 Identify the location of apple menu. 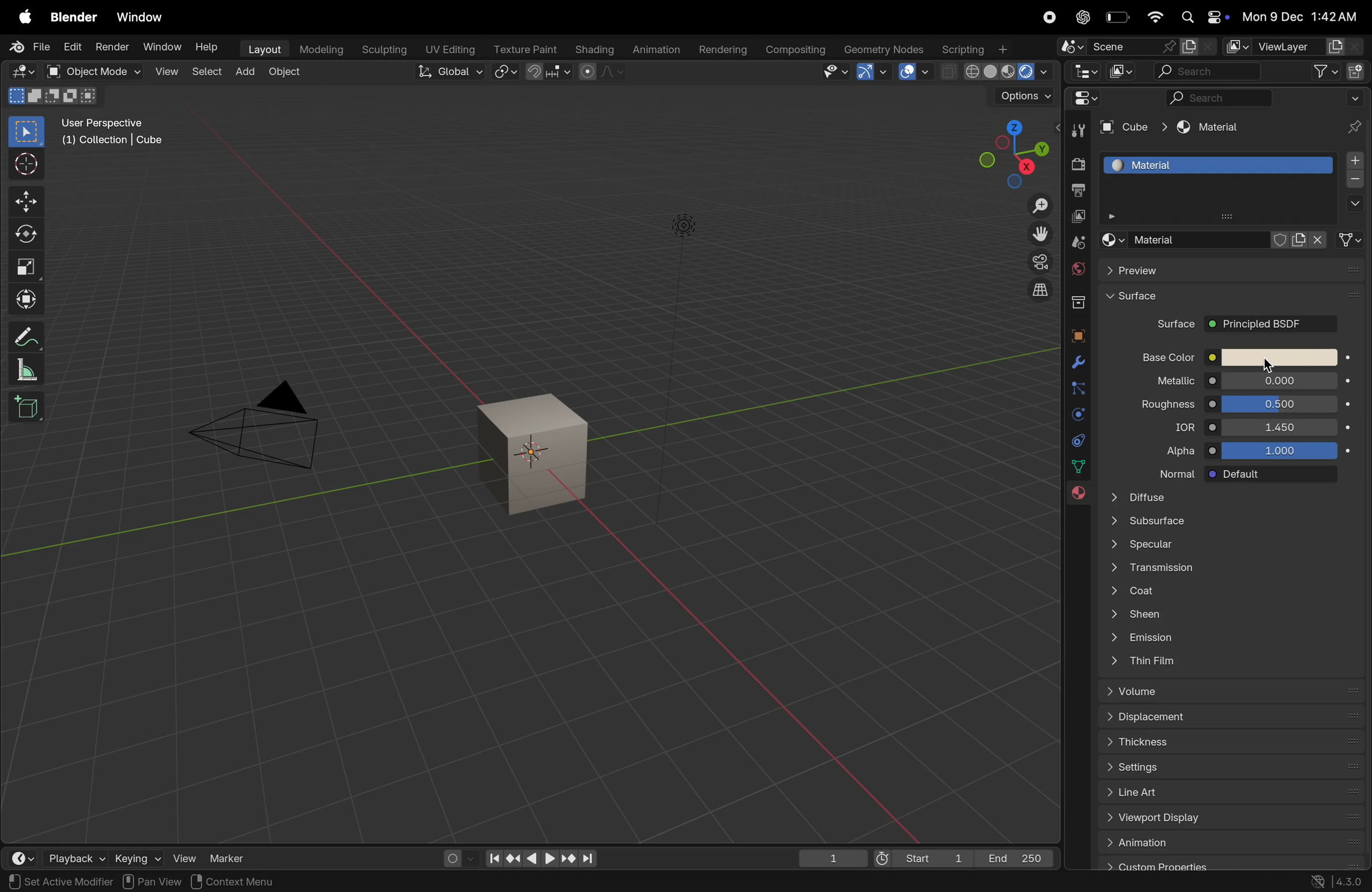
(22, 16).